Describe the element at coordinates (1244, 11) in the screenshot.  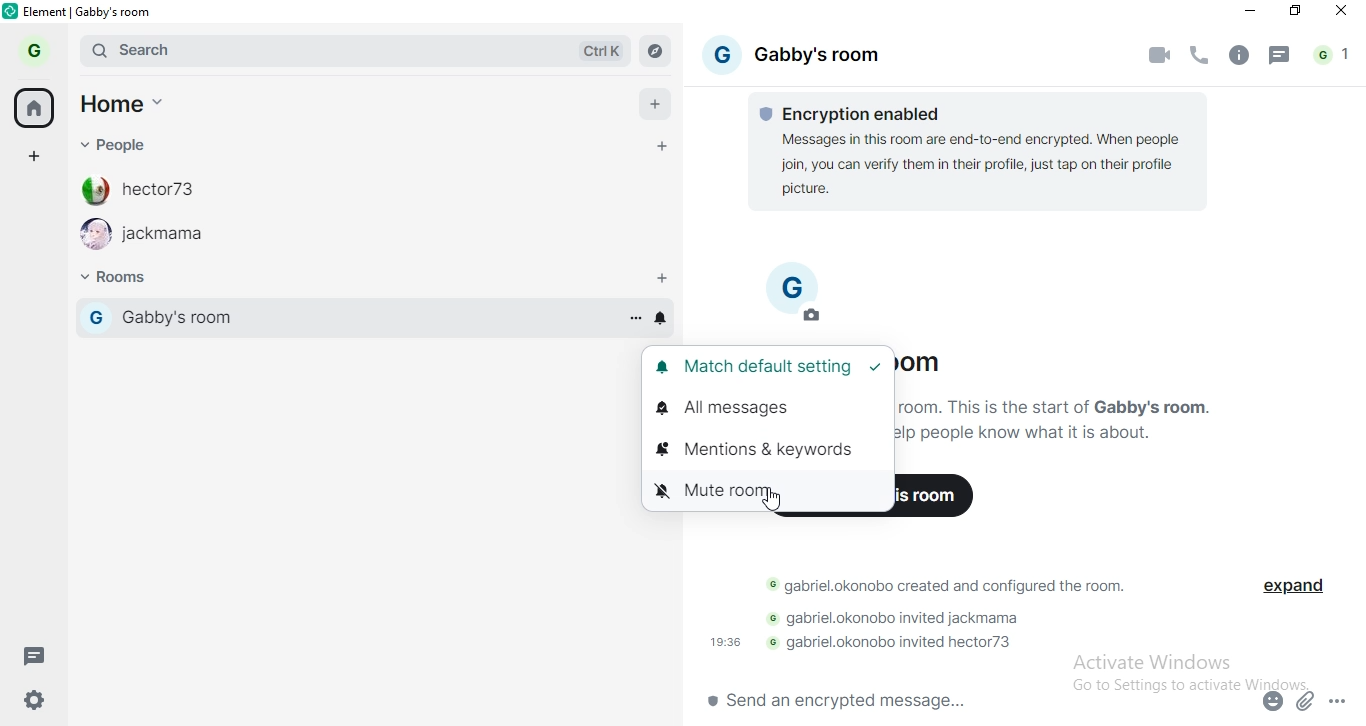
I see `minimise` at that location.